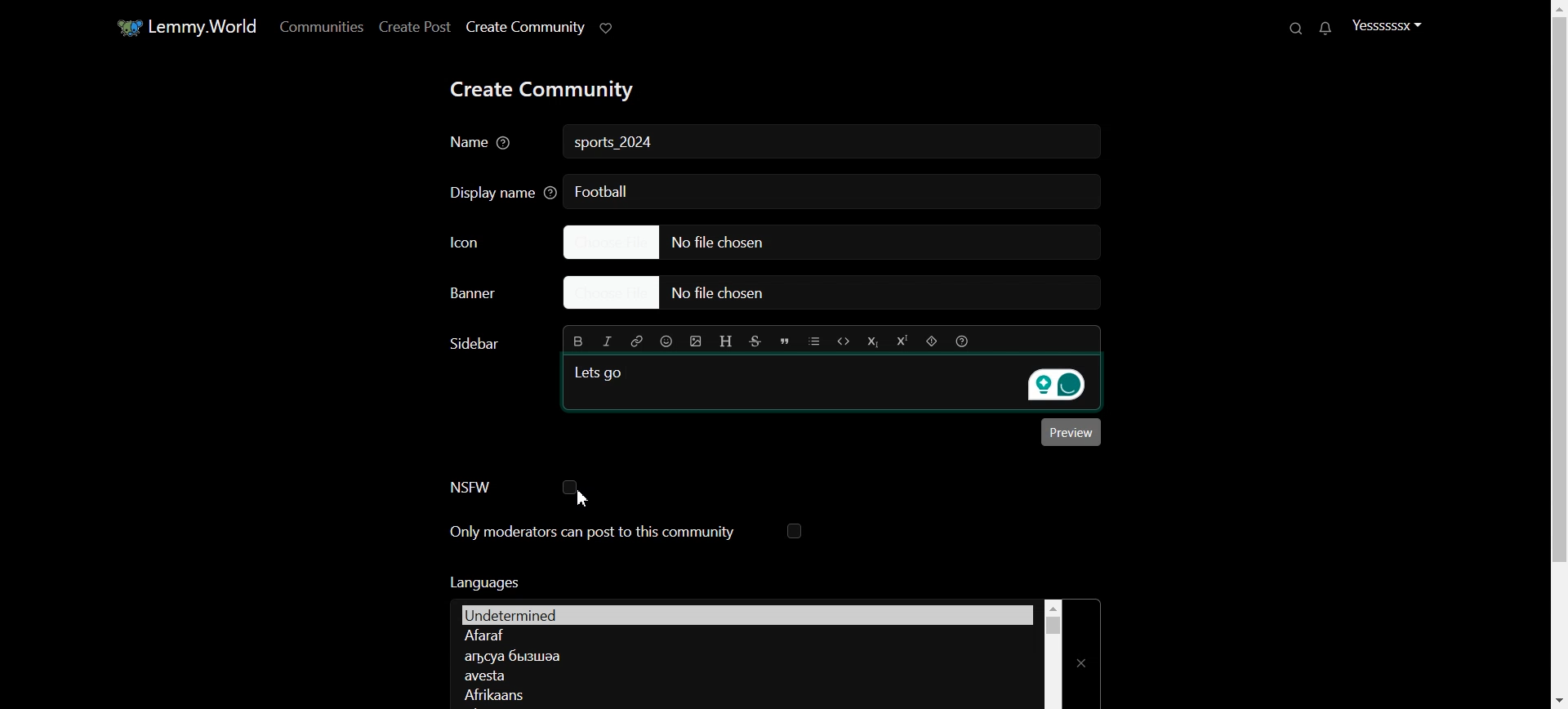 This screenshot has height=709, width=1568. I want to click on Name, so click(483, 144).